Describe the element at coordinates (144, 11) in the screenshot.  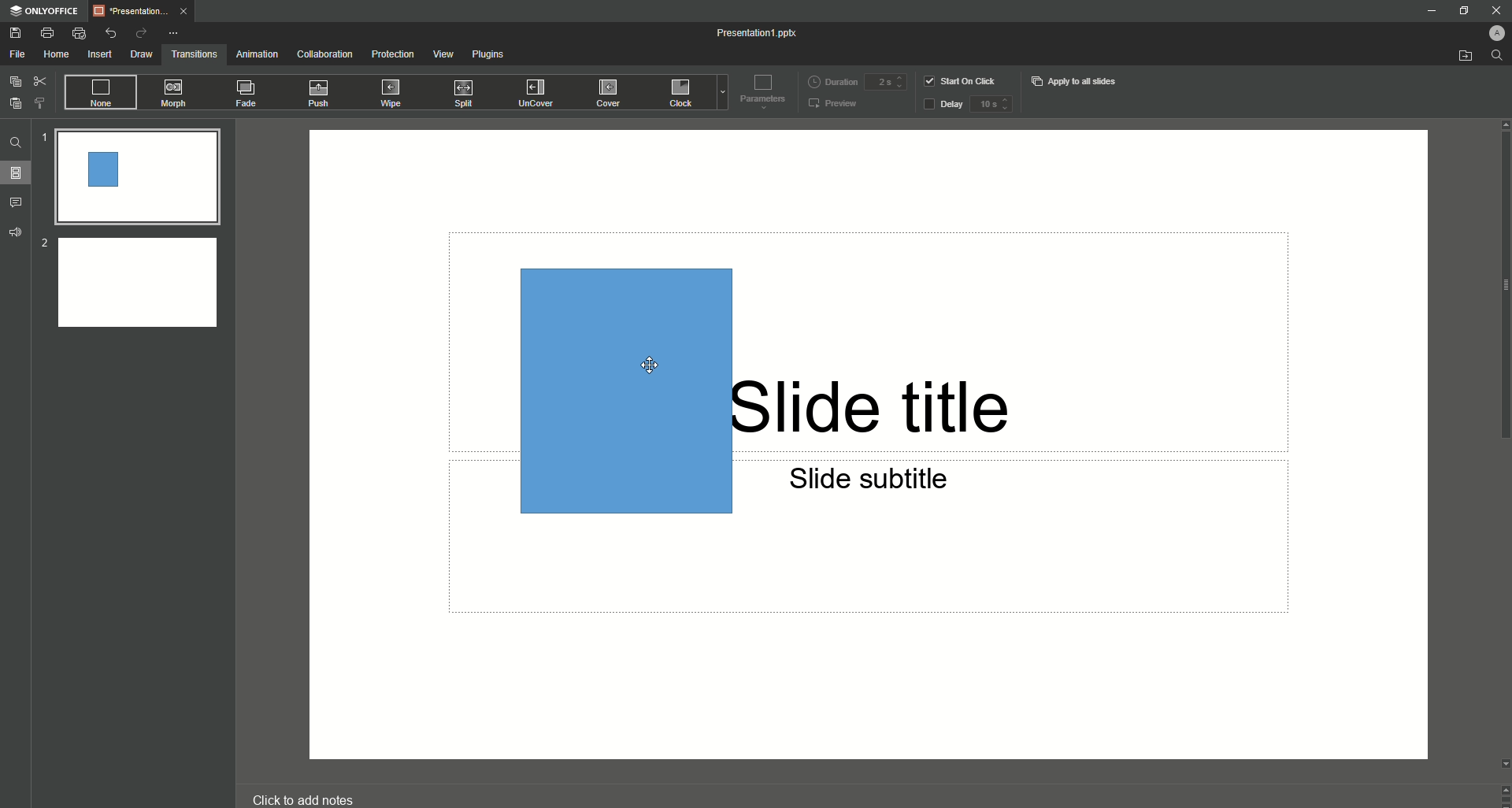
I see `Tab 1` at that location.